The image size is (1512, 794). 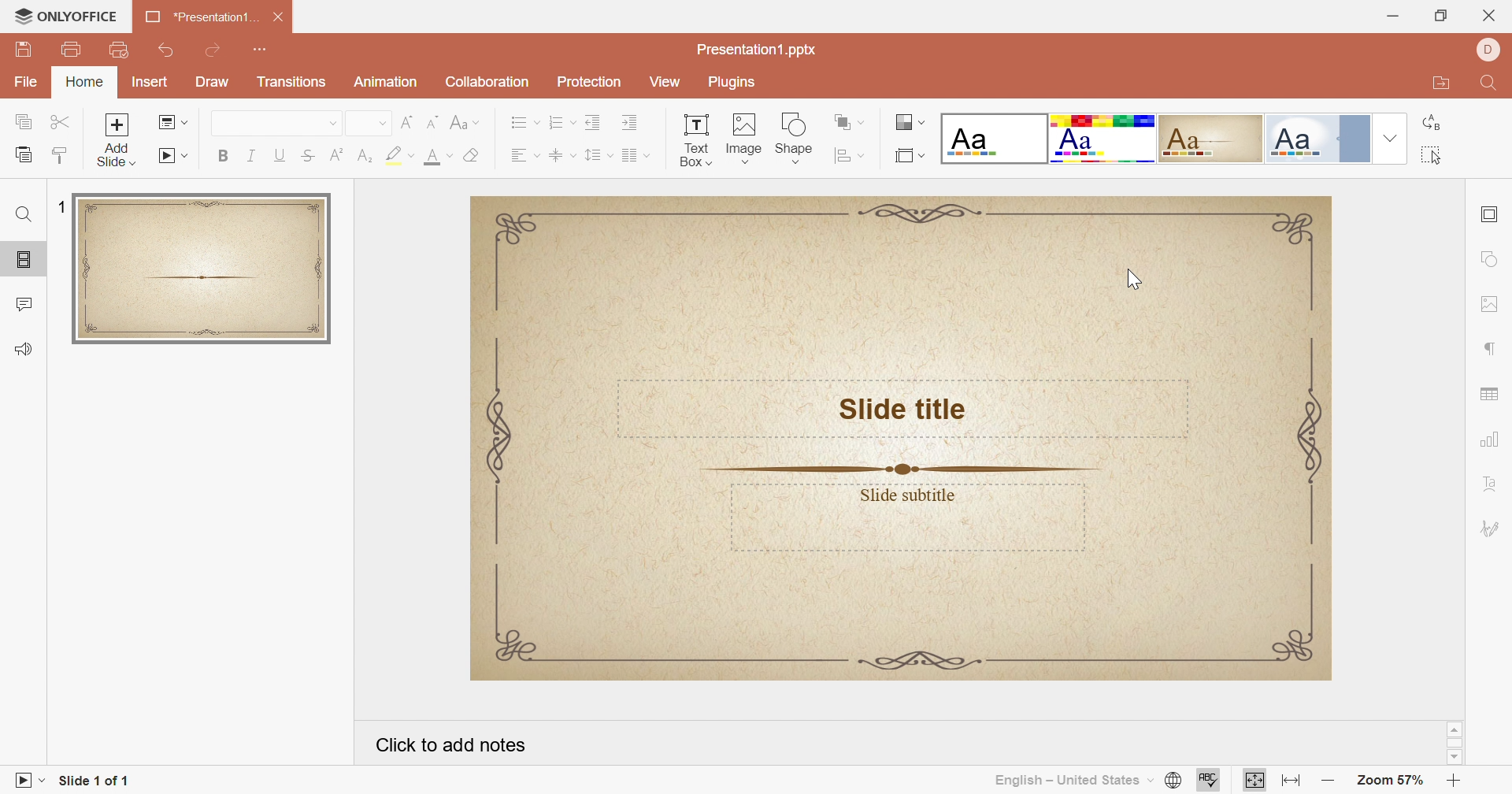 What do you see at coordinates (924, 122) in the screenshot?
I see `Drop Down` at bounding box center [924, 122].